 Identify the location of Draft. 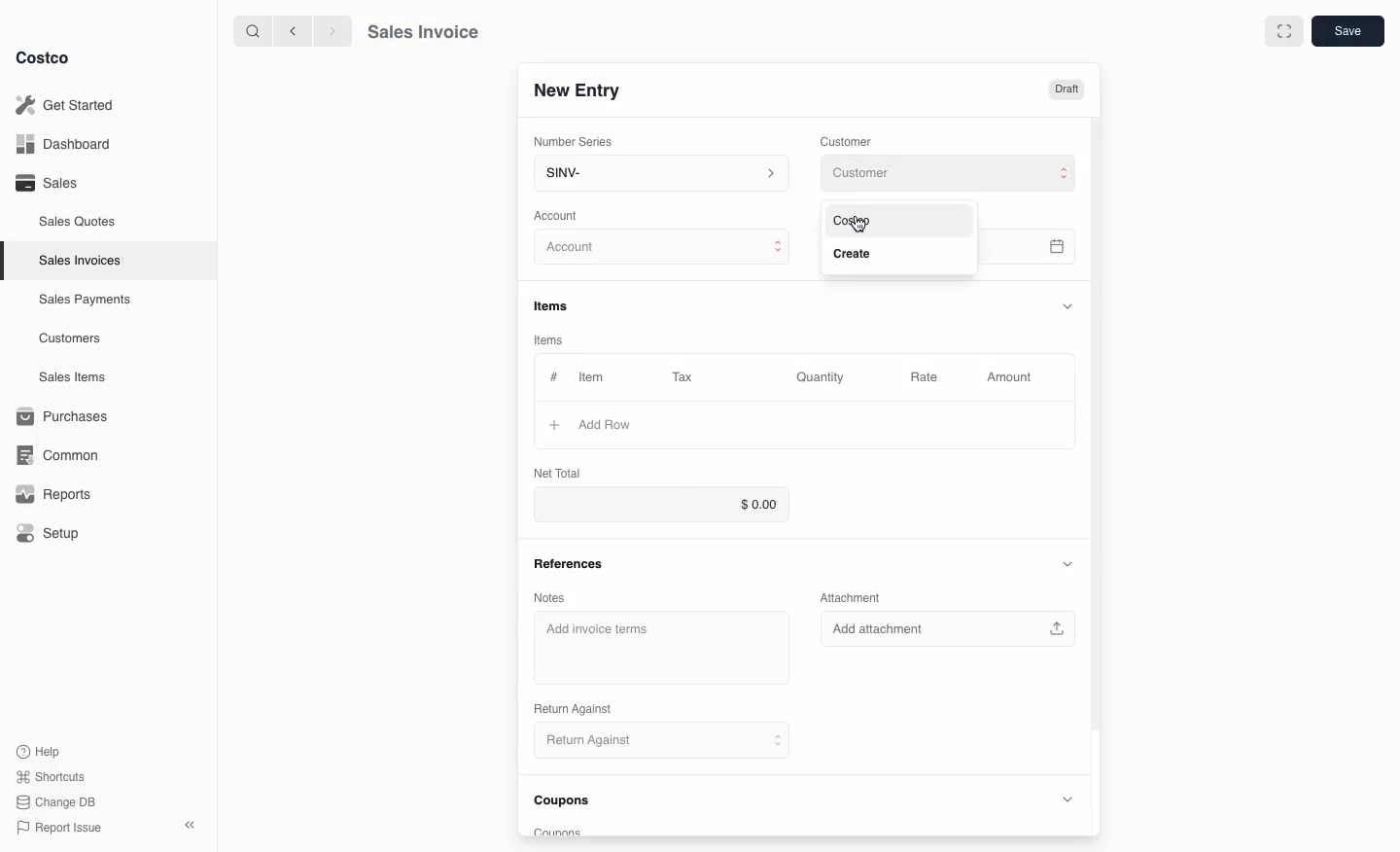
(1067, 90).